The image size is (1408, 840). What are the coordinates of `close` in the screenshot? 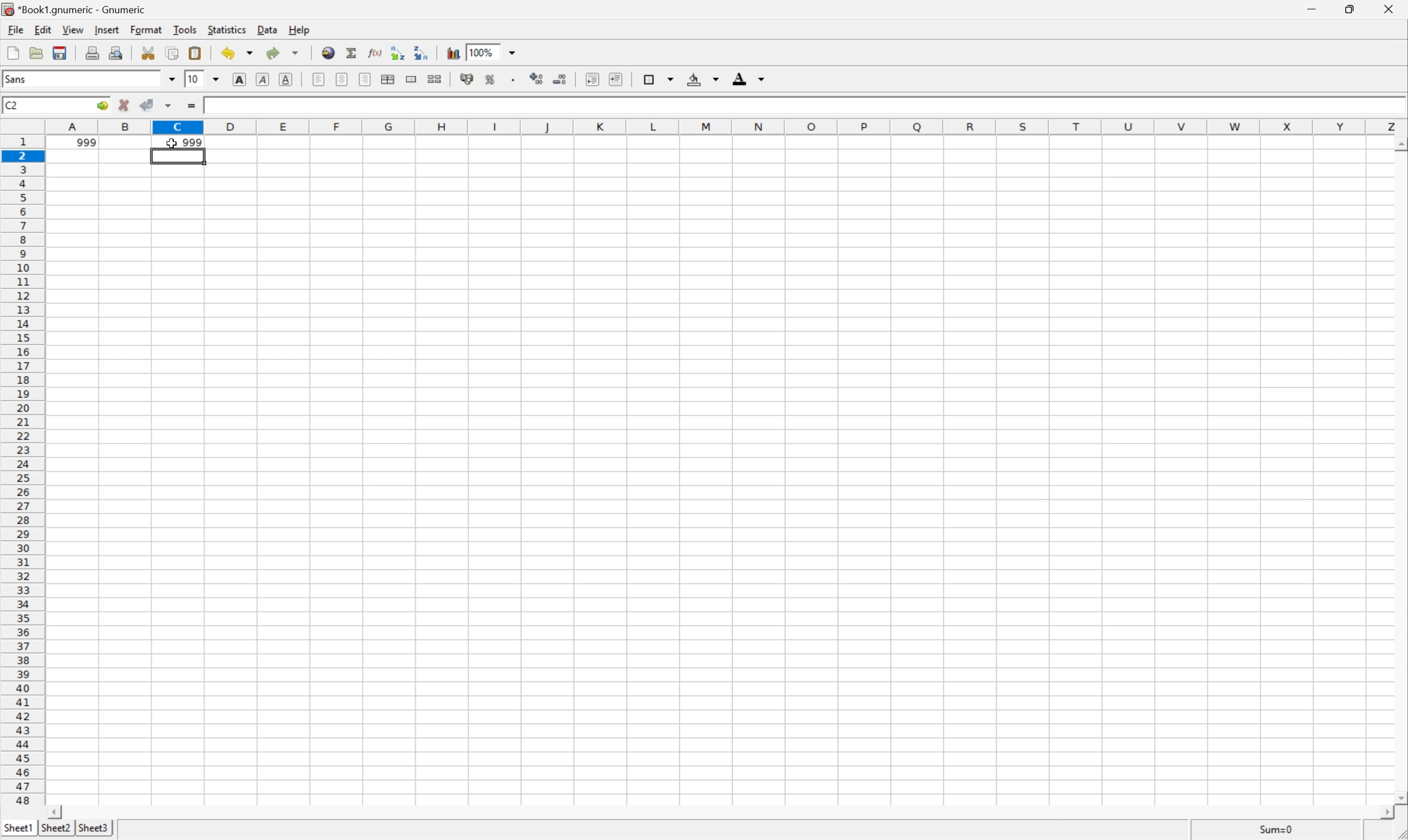 It's located at (1391, 10).